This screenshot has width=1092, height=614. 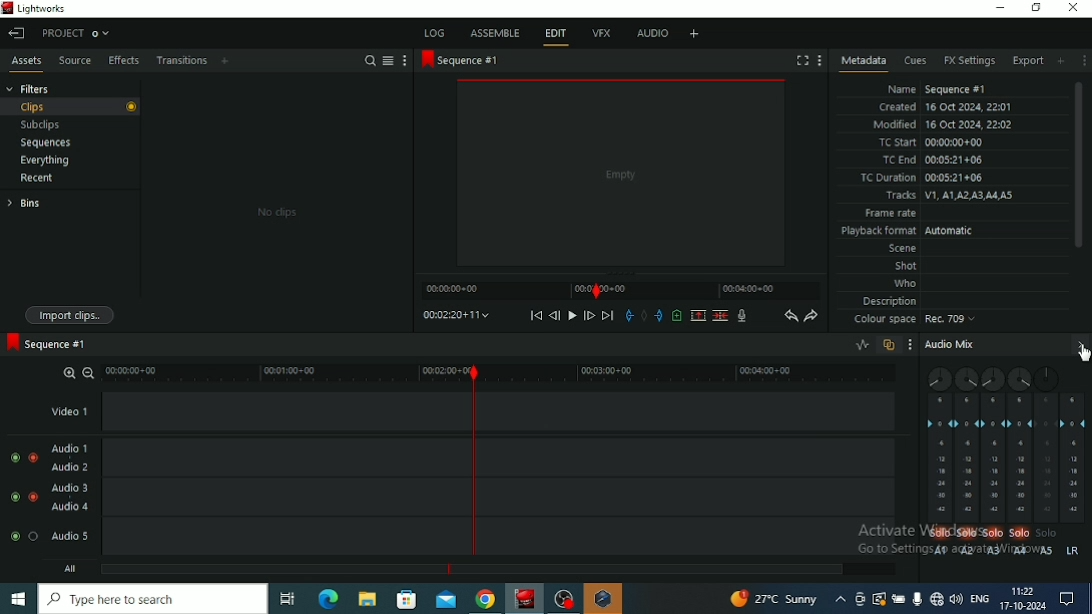 I want to click on Toggle auto track sync, so click(x=889, y=345).